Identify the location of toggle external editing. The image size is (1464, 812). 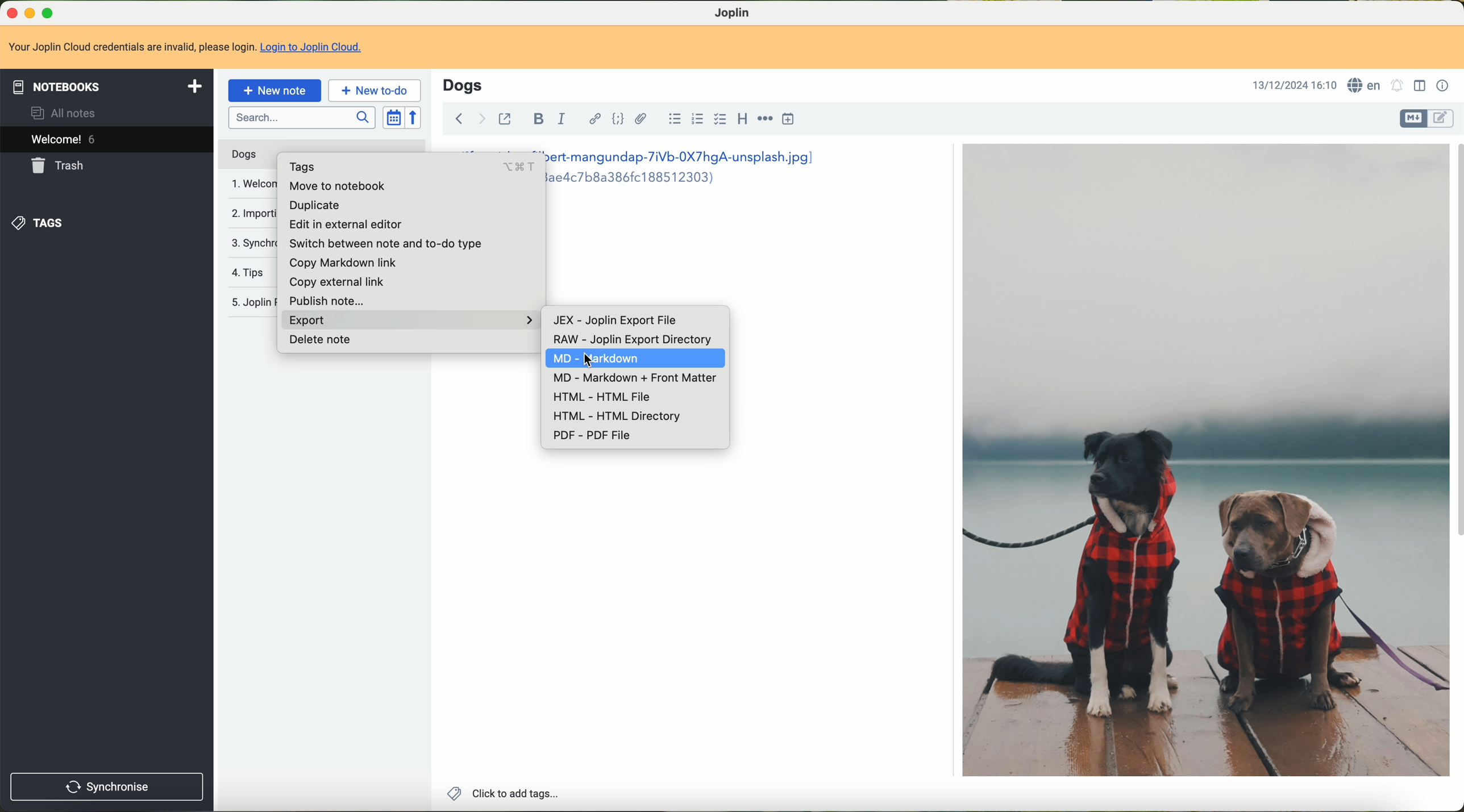
(506, 118).